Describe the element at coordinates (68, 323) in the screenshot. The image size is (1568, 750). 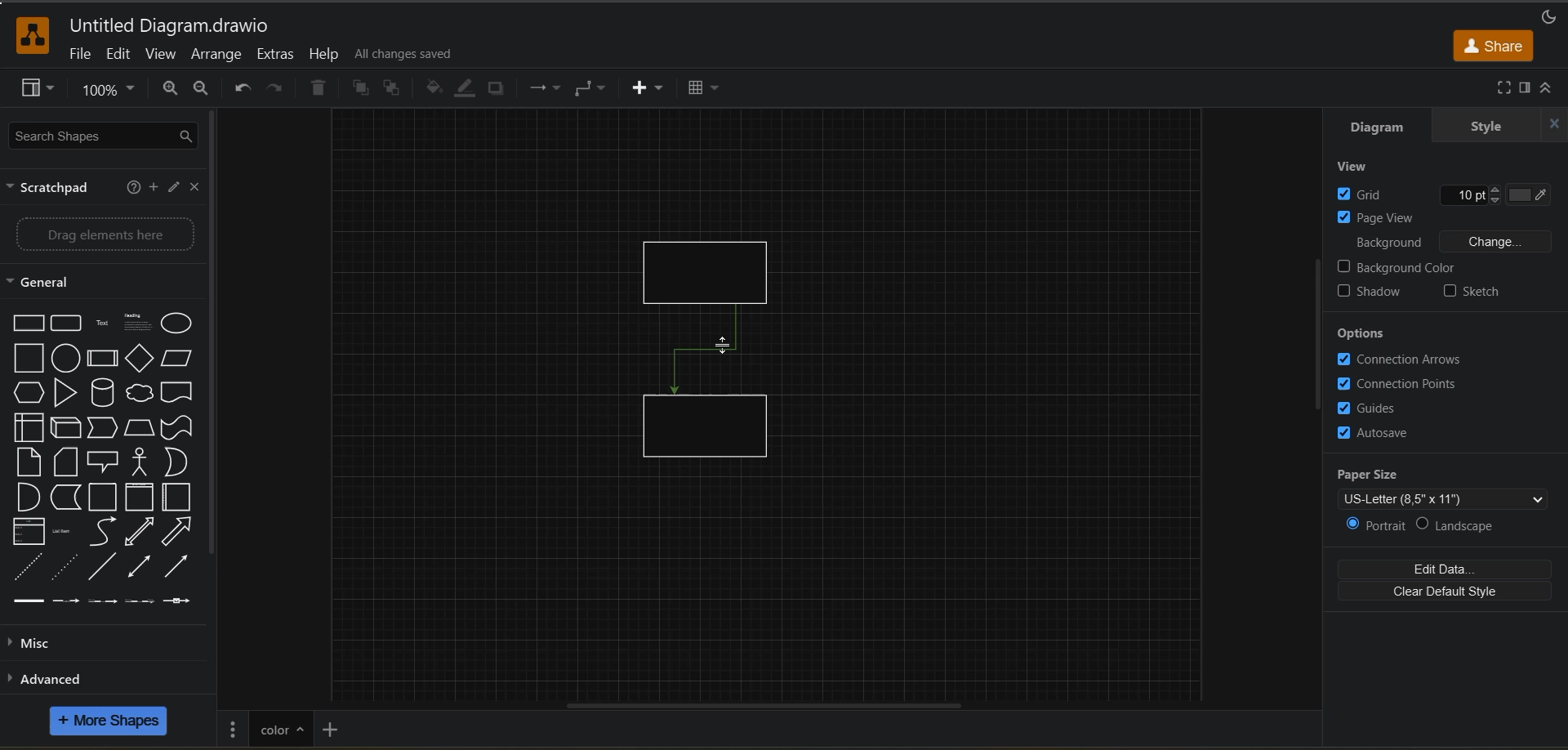
I see `Rounded Rectangle` at that location.